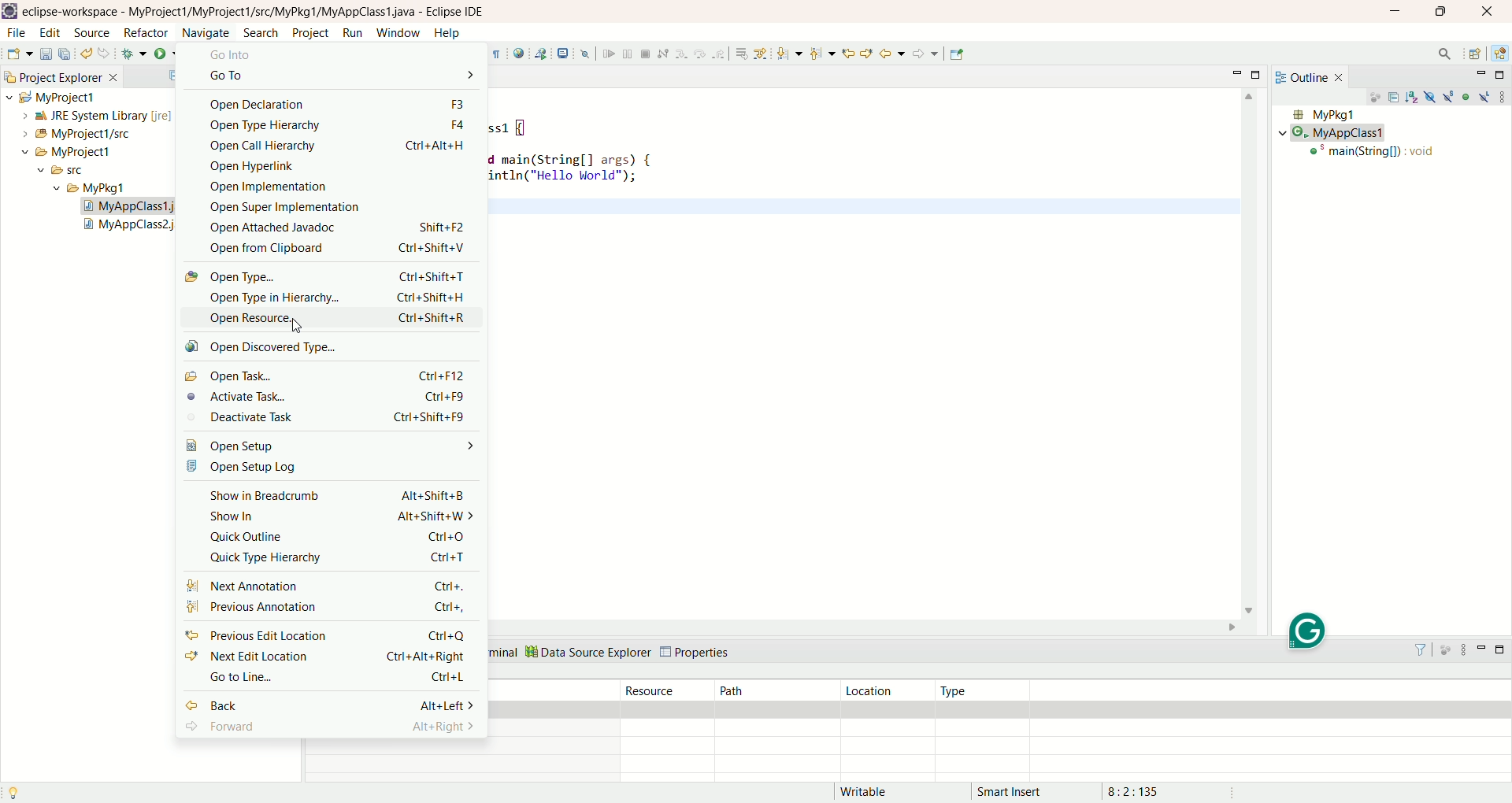  I want to click on show in breadcrumb, so click(336, 496).